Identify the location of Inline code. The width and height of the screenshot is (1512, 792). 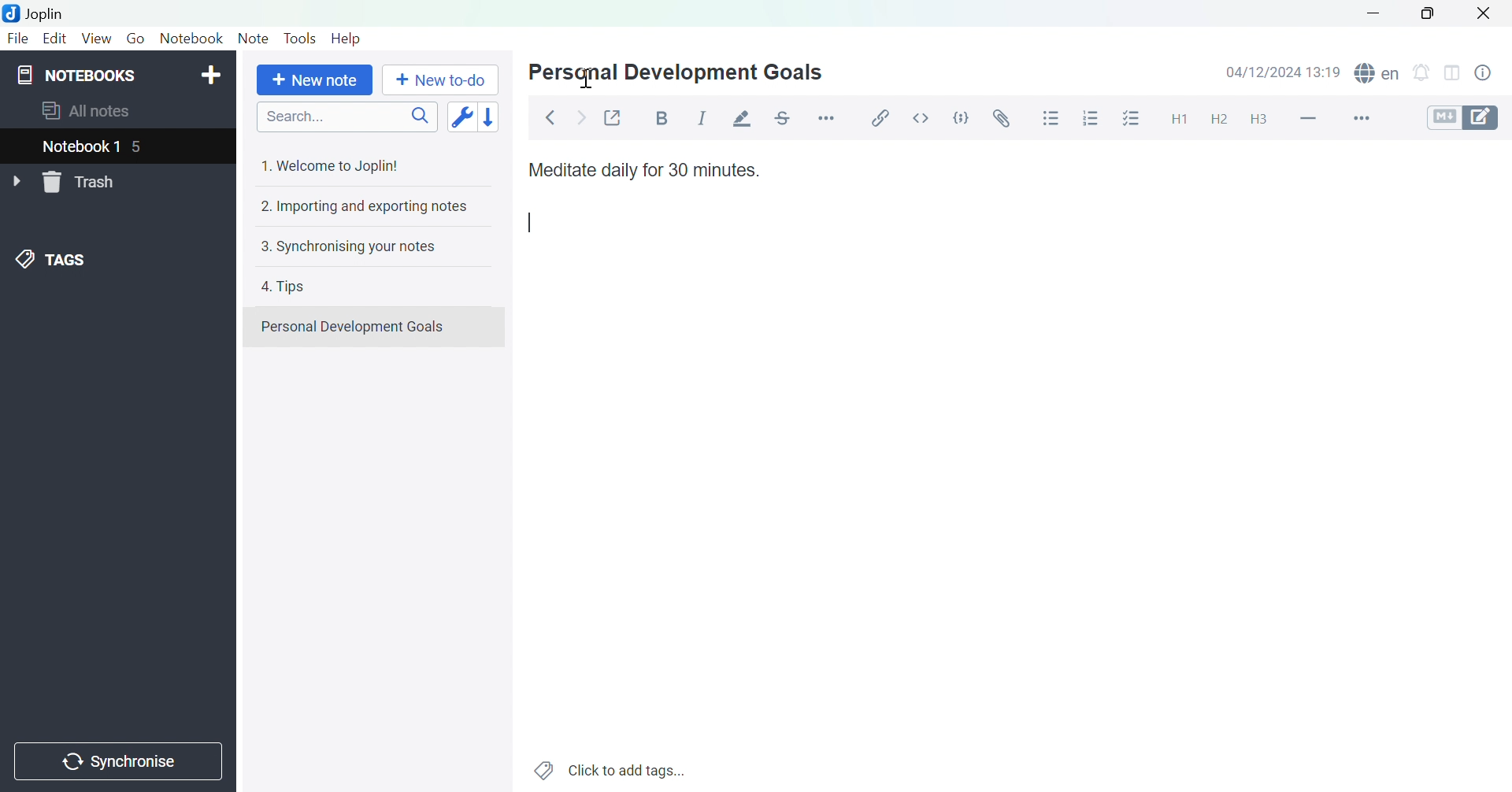
(919, 120).